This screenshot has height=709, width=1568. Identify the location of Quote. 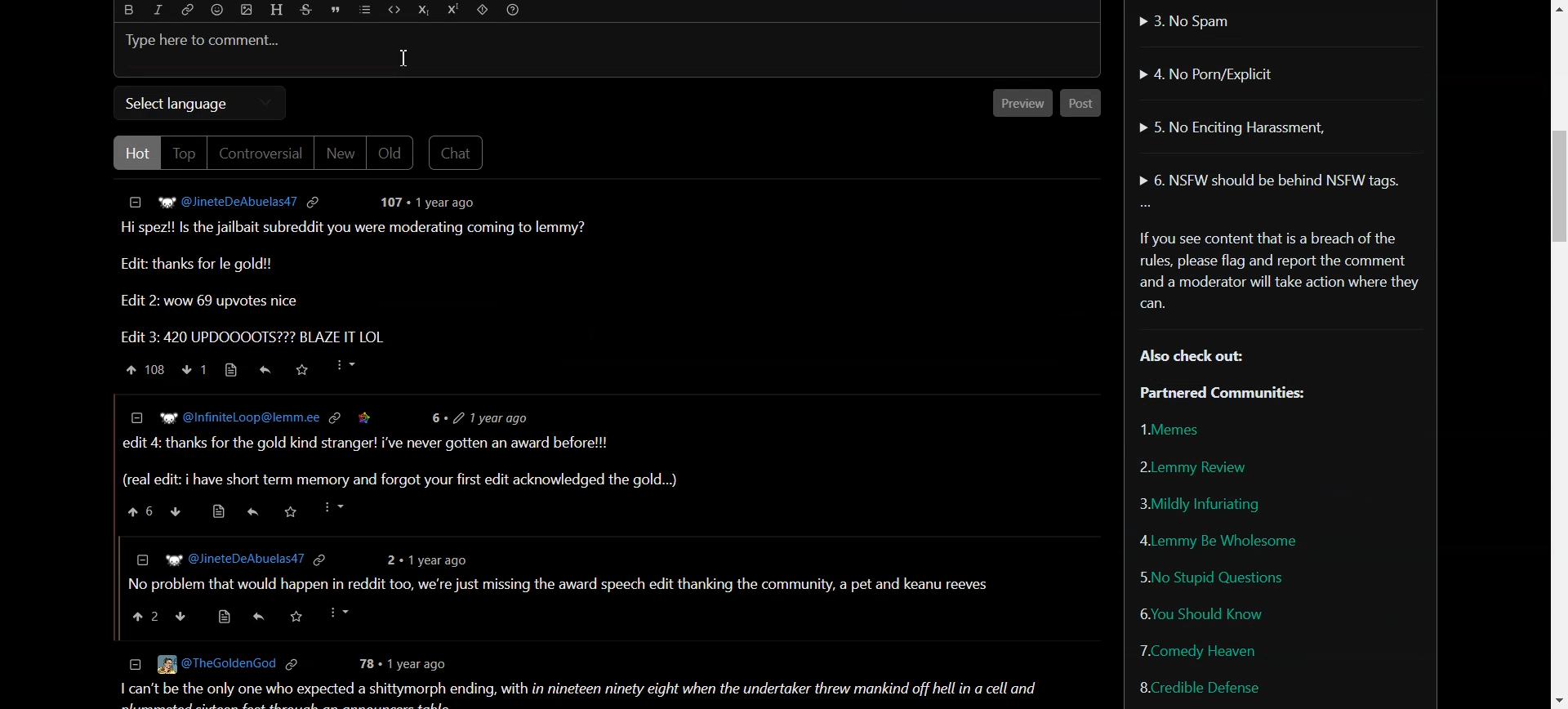
(336, 10).